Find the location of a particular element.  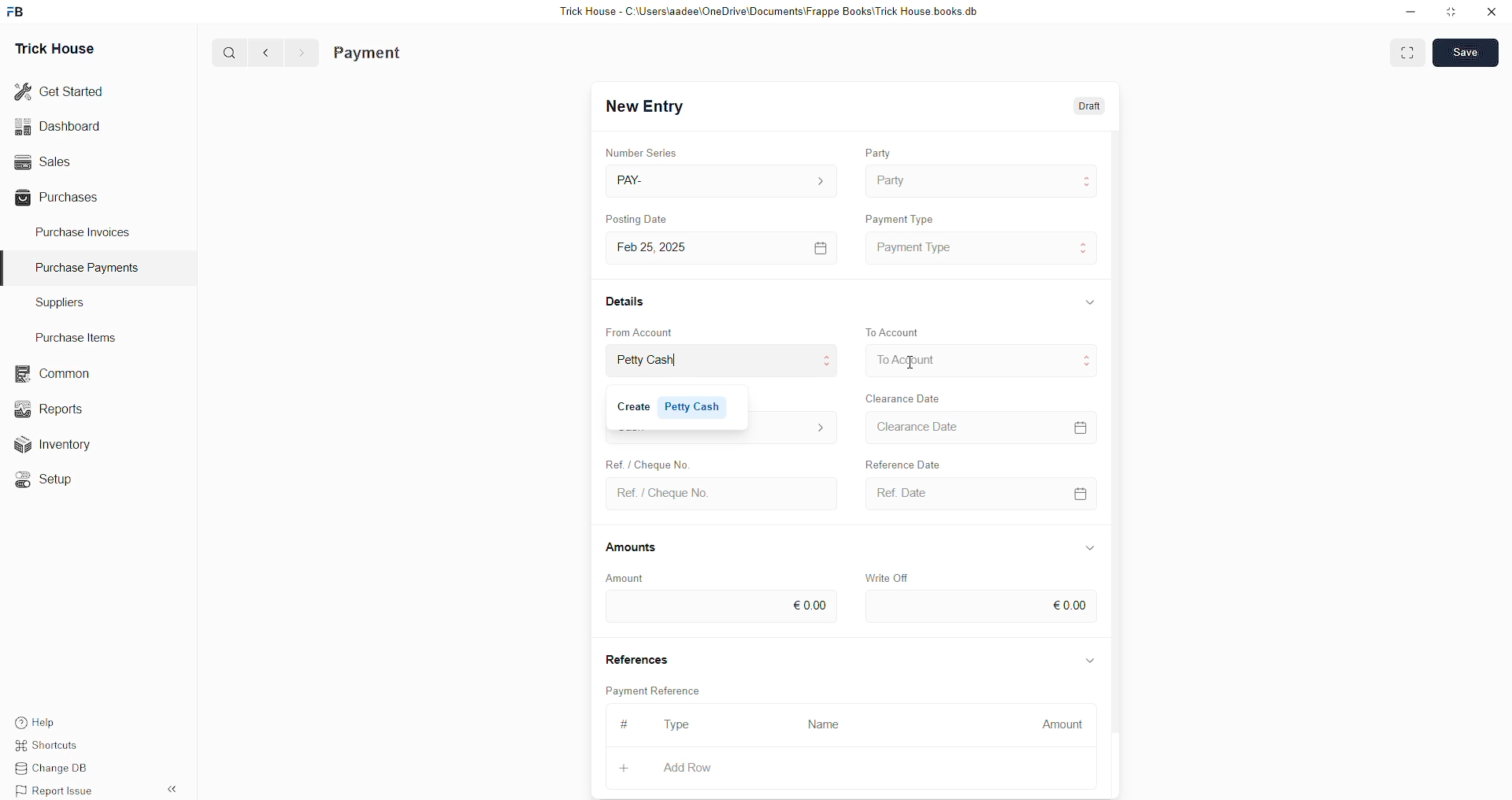

To Account is located at coordinates (896, 331).